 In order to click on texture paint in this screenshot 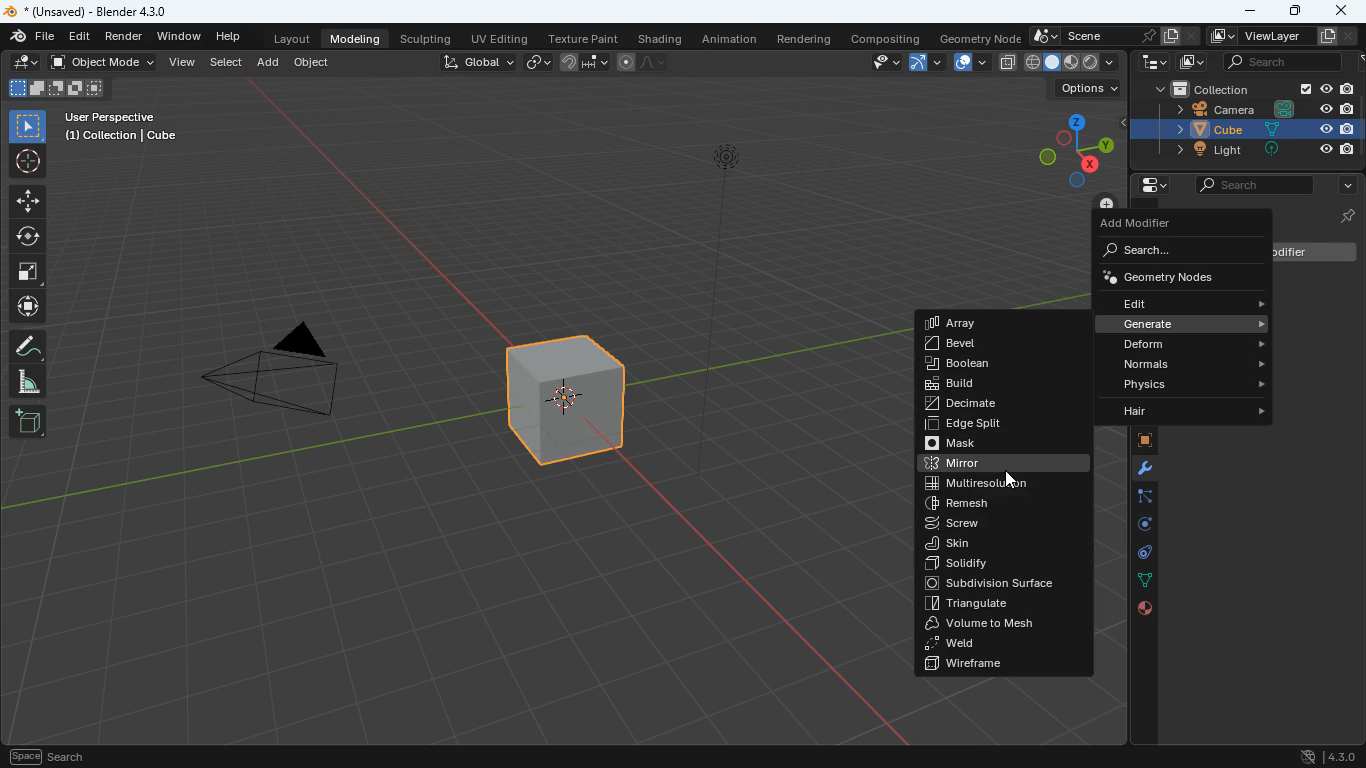, I will do `click(581, 37)`.